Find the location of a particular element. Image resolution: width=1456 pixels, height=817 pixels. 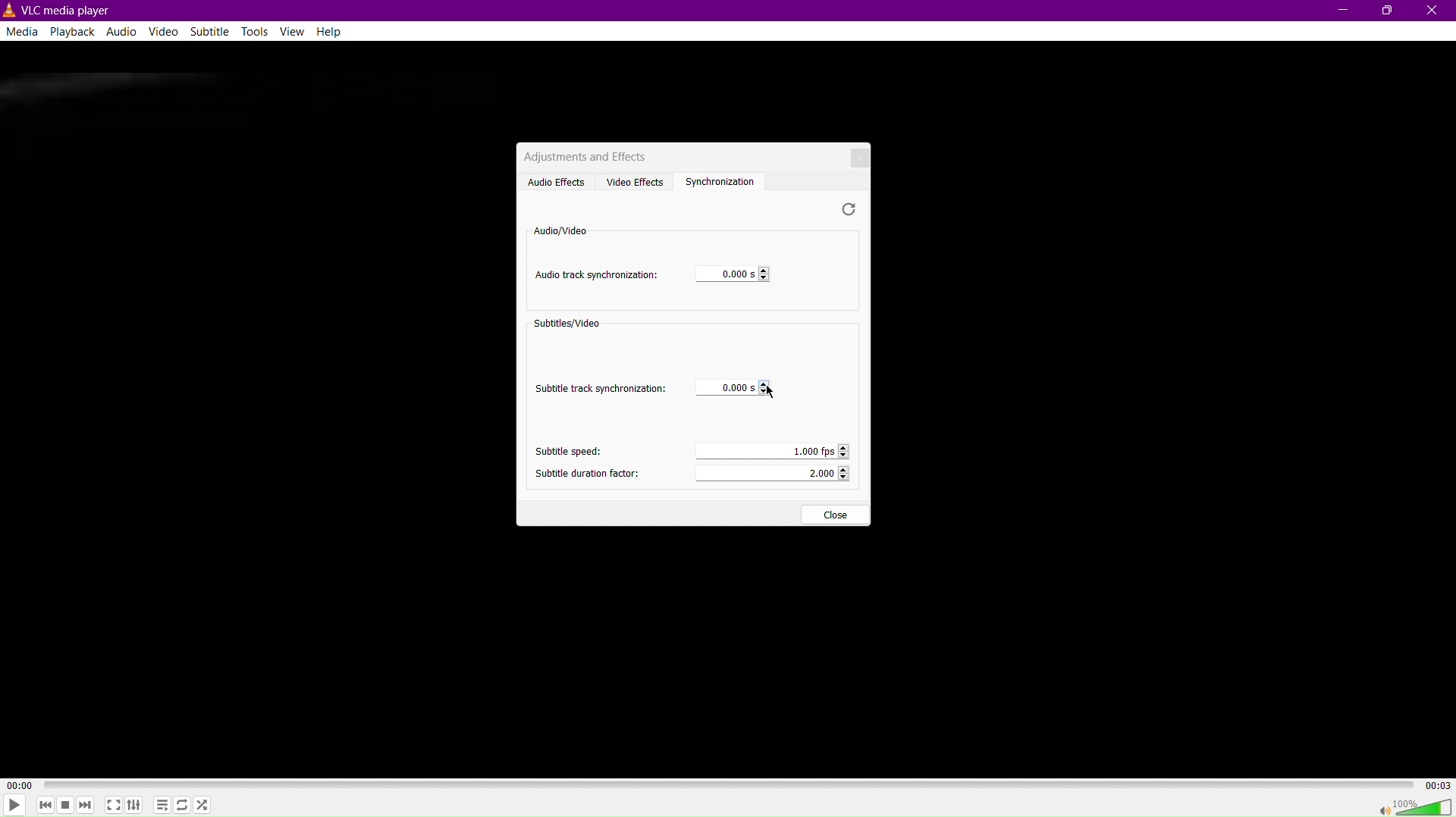

Audio is located at coordinates (125, 31).